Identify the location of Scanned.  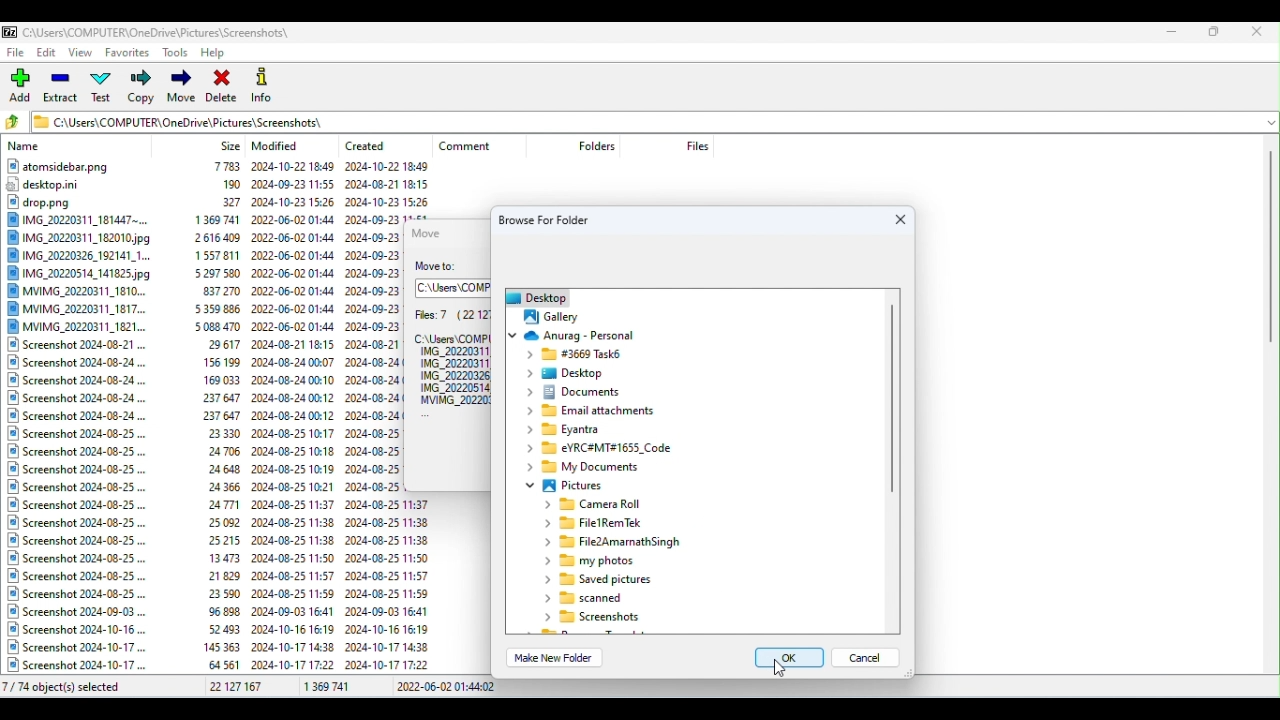
(587, 598).